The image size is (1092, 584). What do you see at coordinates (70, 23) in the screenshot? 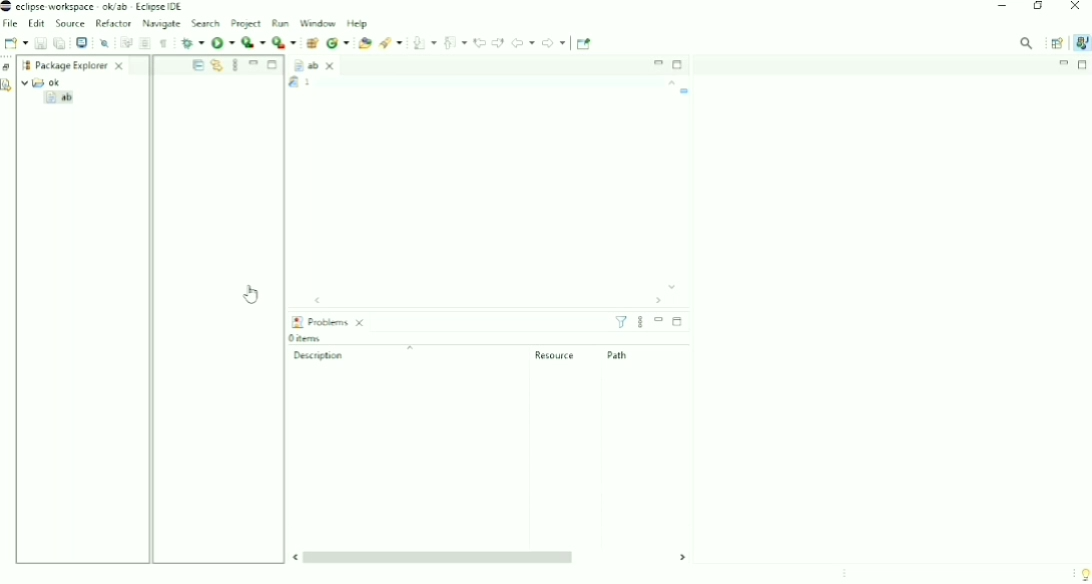
I see `Source` at bounding box center [70, 23].